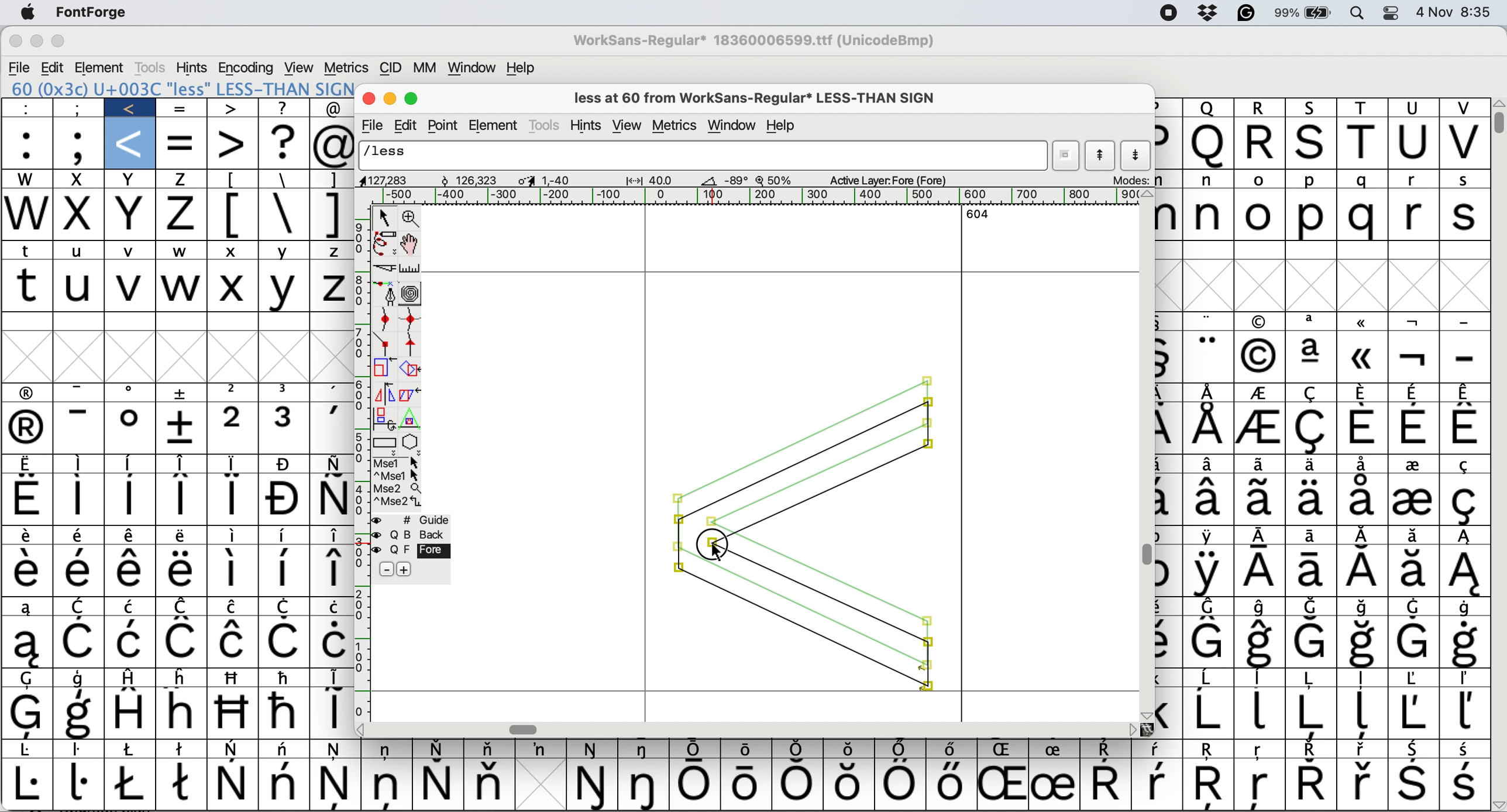 This screenshot has width=1507, height=812. Describe the element at coordinates (388, 749) in the screenshot. I see `Symbol` at that location.